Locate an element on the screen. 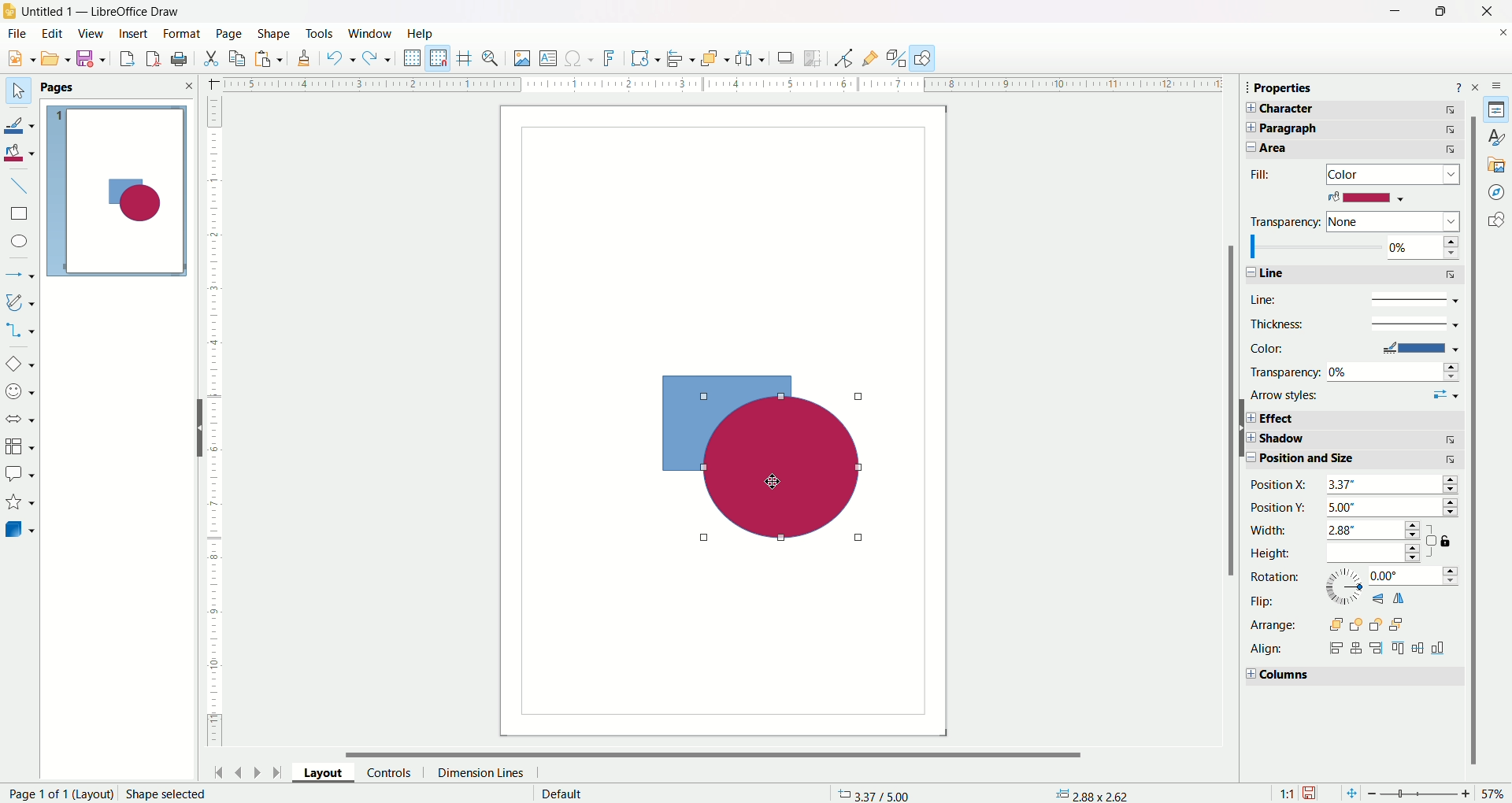  crop image is located at coordinates (815, 58).